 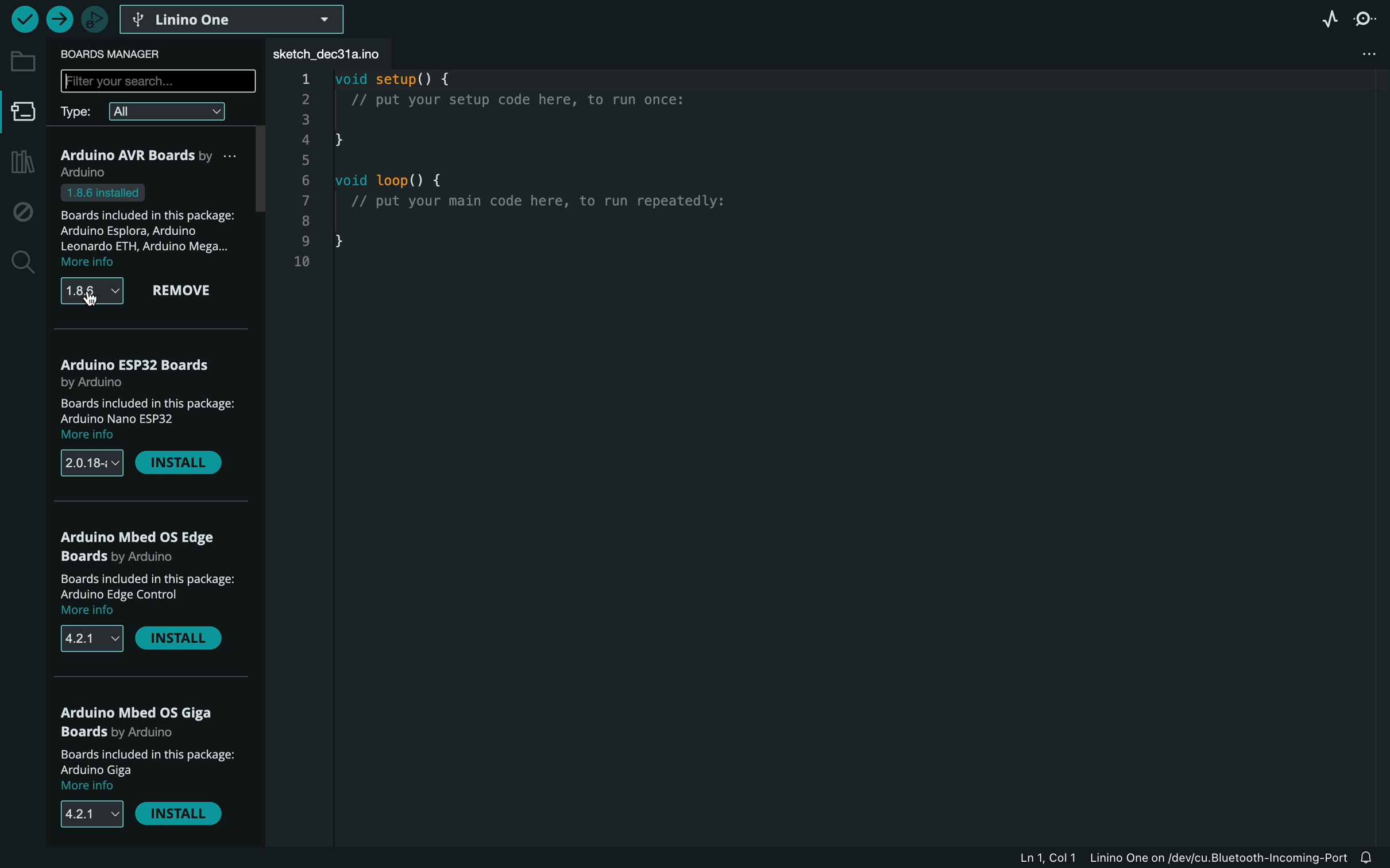 I want to click on verify, so click(x=24, y=18).